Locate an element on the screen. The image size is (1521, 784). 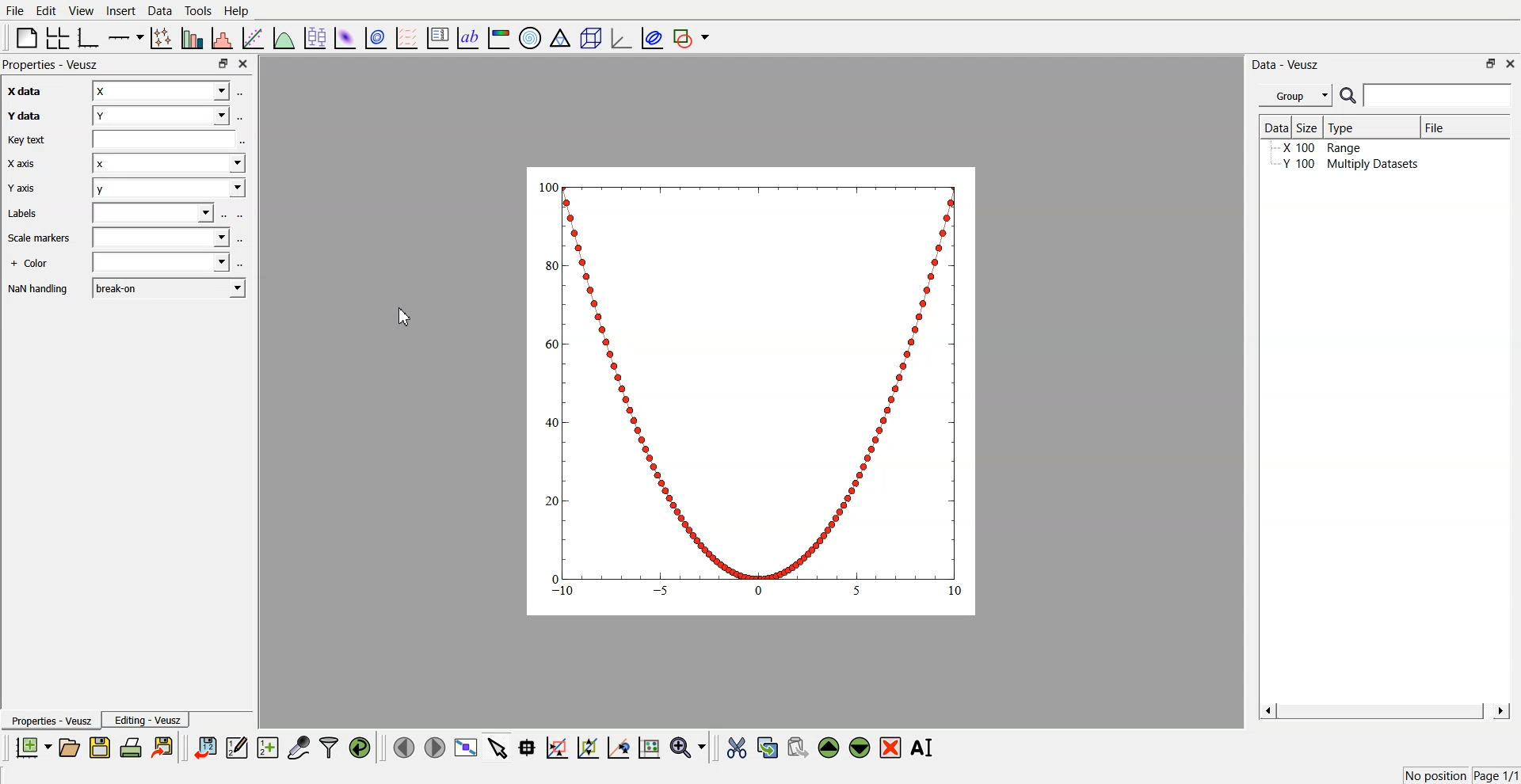
X axis is located at coordinates (24, 165).